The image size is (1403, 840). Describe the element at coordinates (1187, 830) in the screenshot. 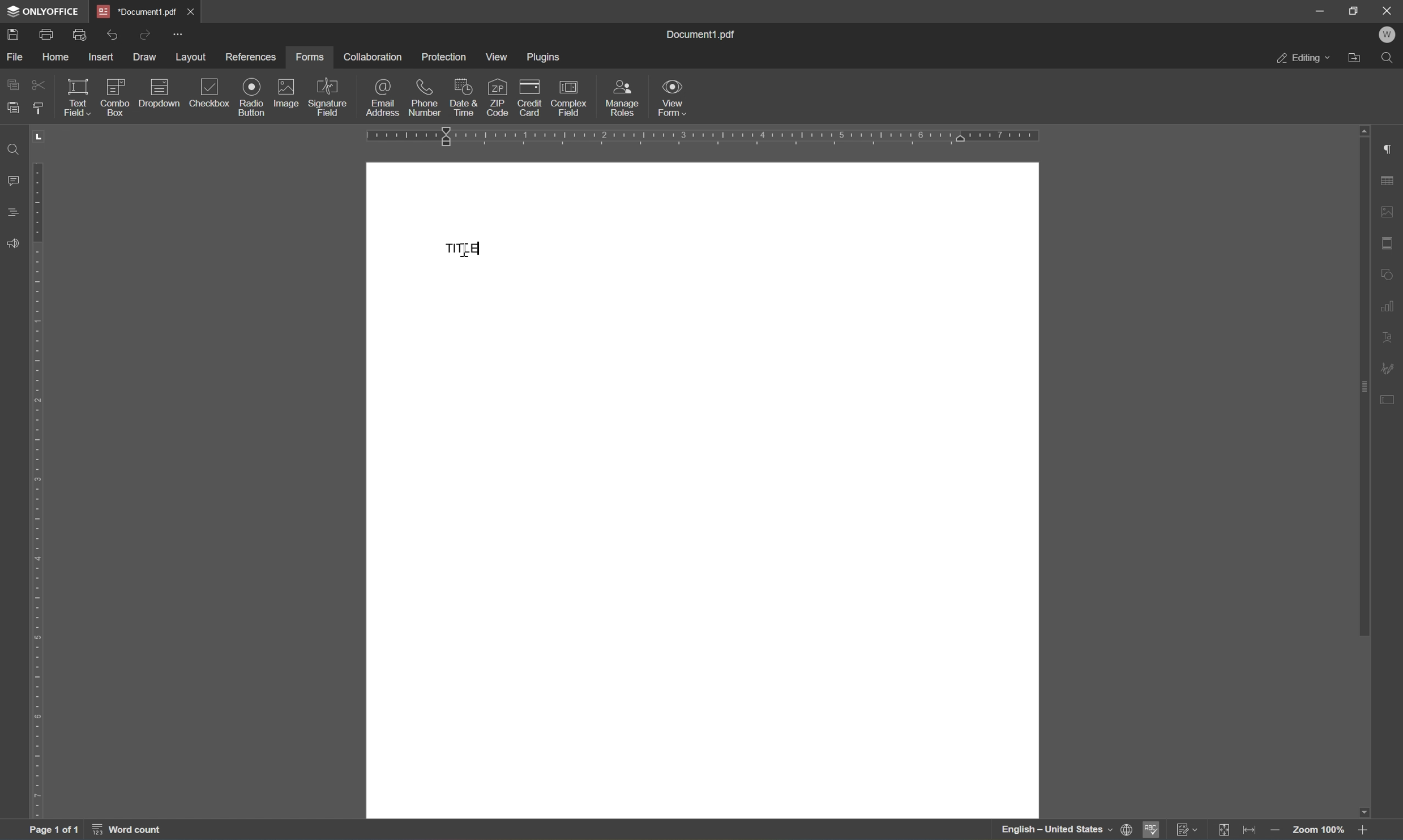

I see `track changes` at that location.